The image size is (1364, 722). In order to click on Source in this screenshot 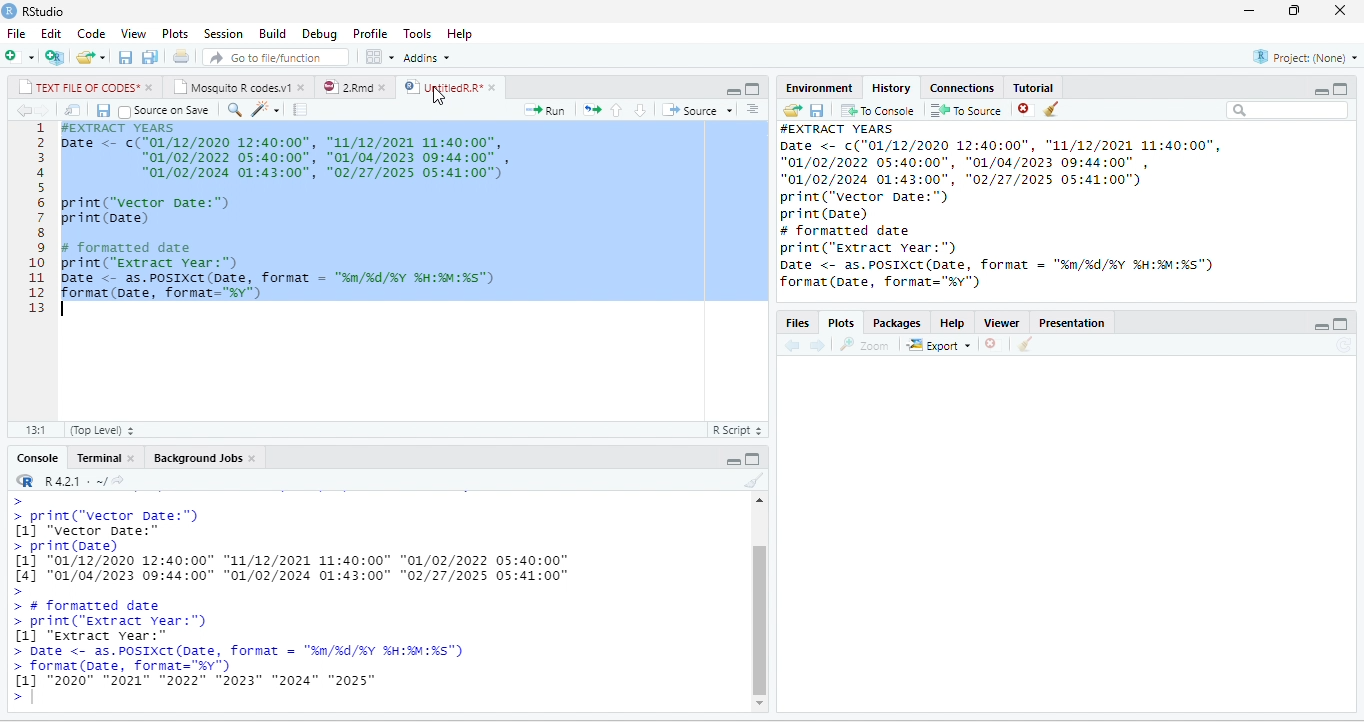, I will do `click(698, 110)`.